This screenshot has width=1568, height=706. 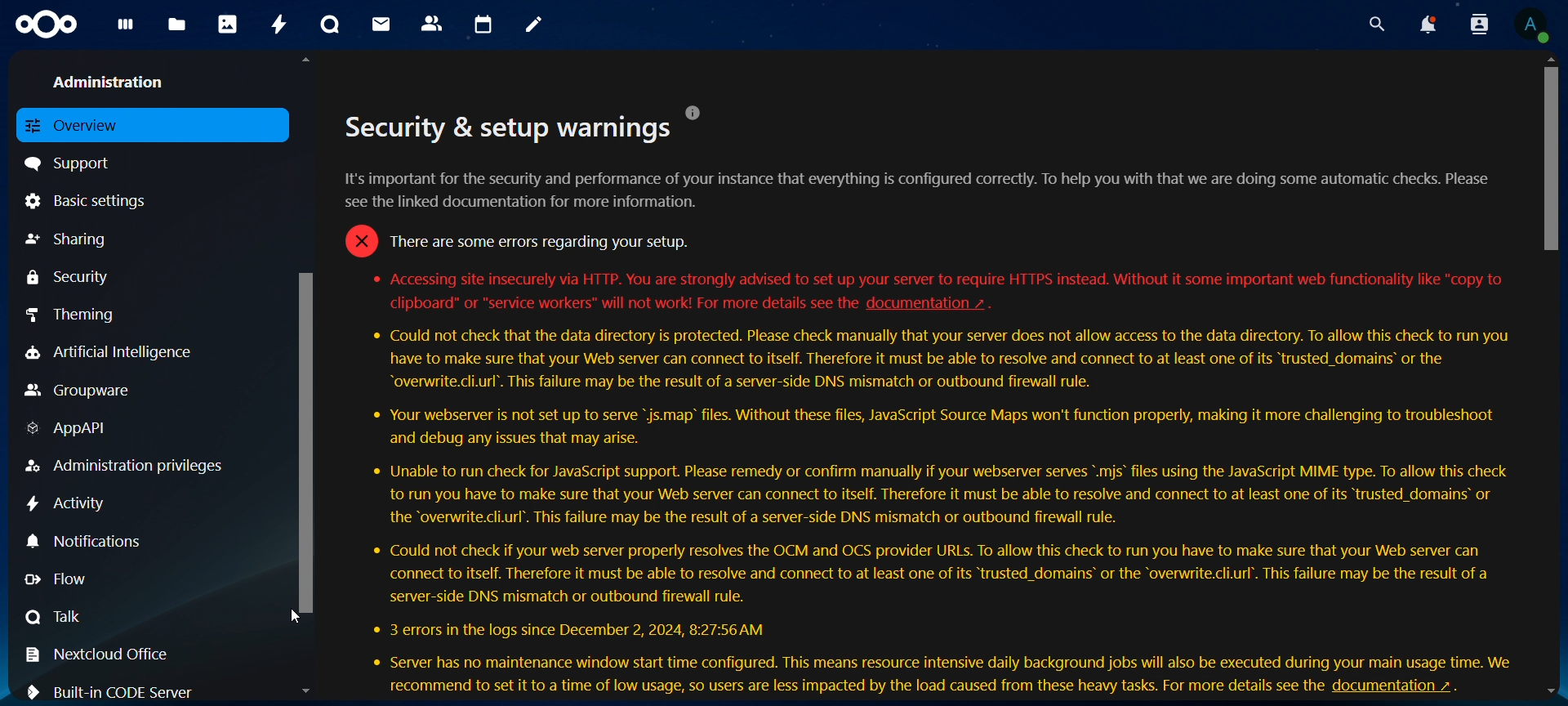 What do you see at coordinates (127, 29) in the screenshot?
I see `dashboard` at bounding box center [127, 29].